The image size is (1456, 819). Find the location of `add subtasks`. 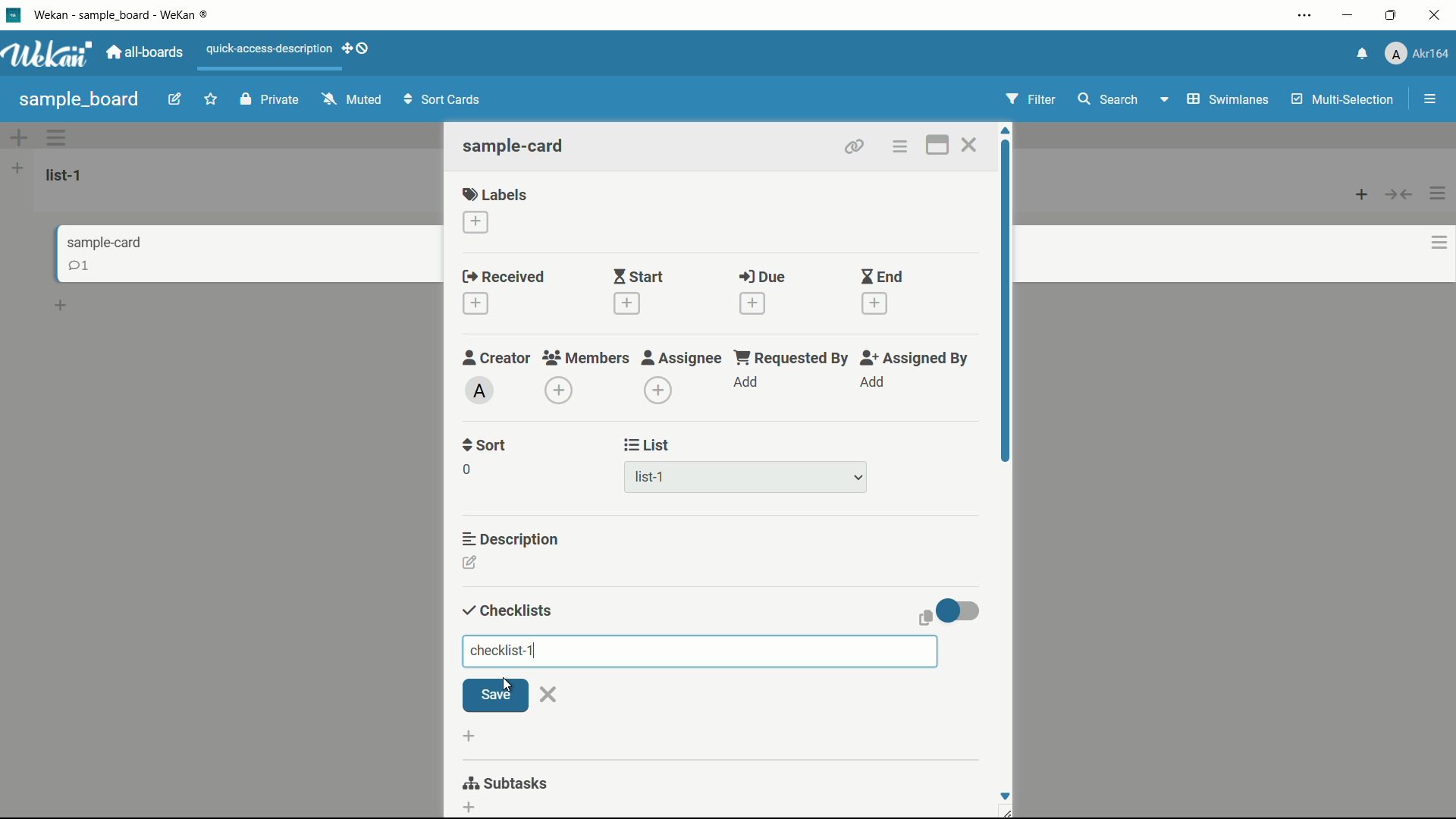

add subtasks is located at coordinates (469, 808).